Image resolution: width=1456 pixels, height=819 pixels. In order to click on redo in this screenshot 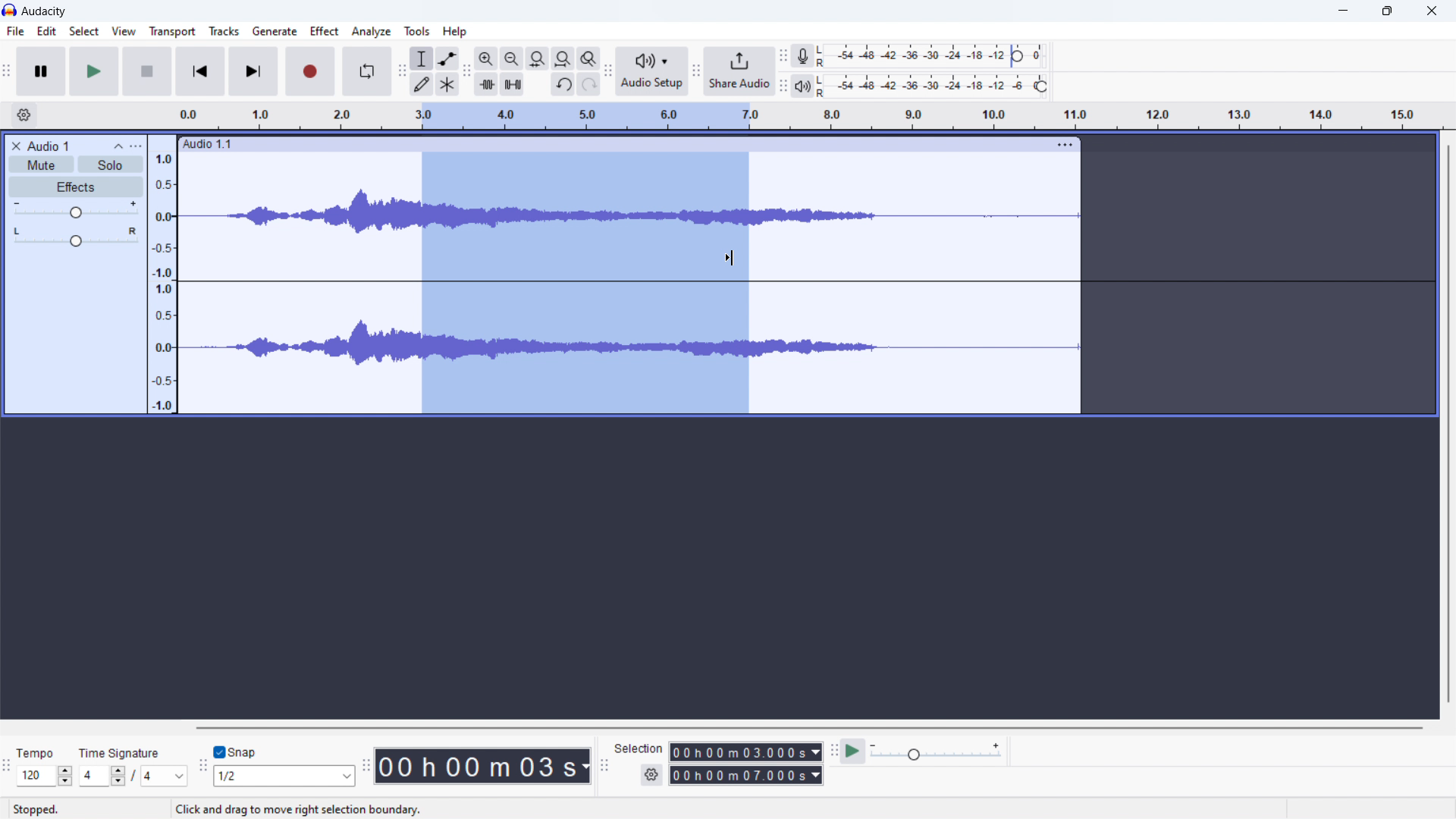, I will do `click(589, 83)`.